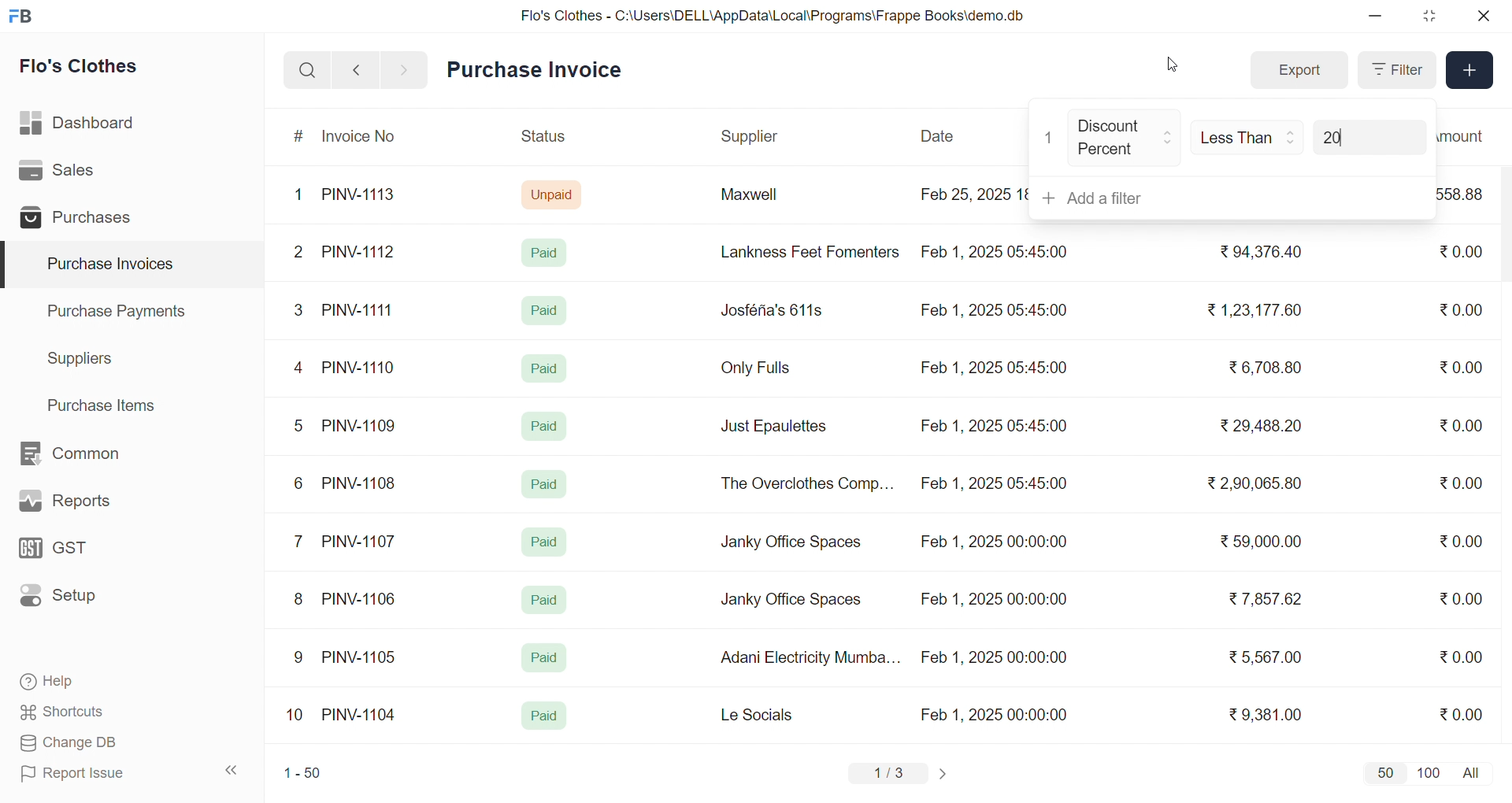 This screenshot has height=803, width=1512. I want to click on ₹0.00, so click(1461, 367).